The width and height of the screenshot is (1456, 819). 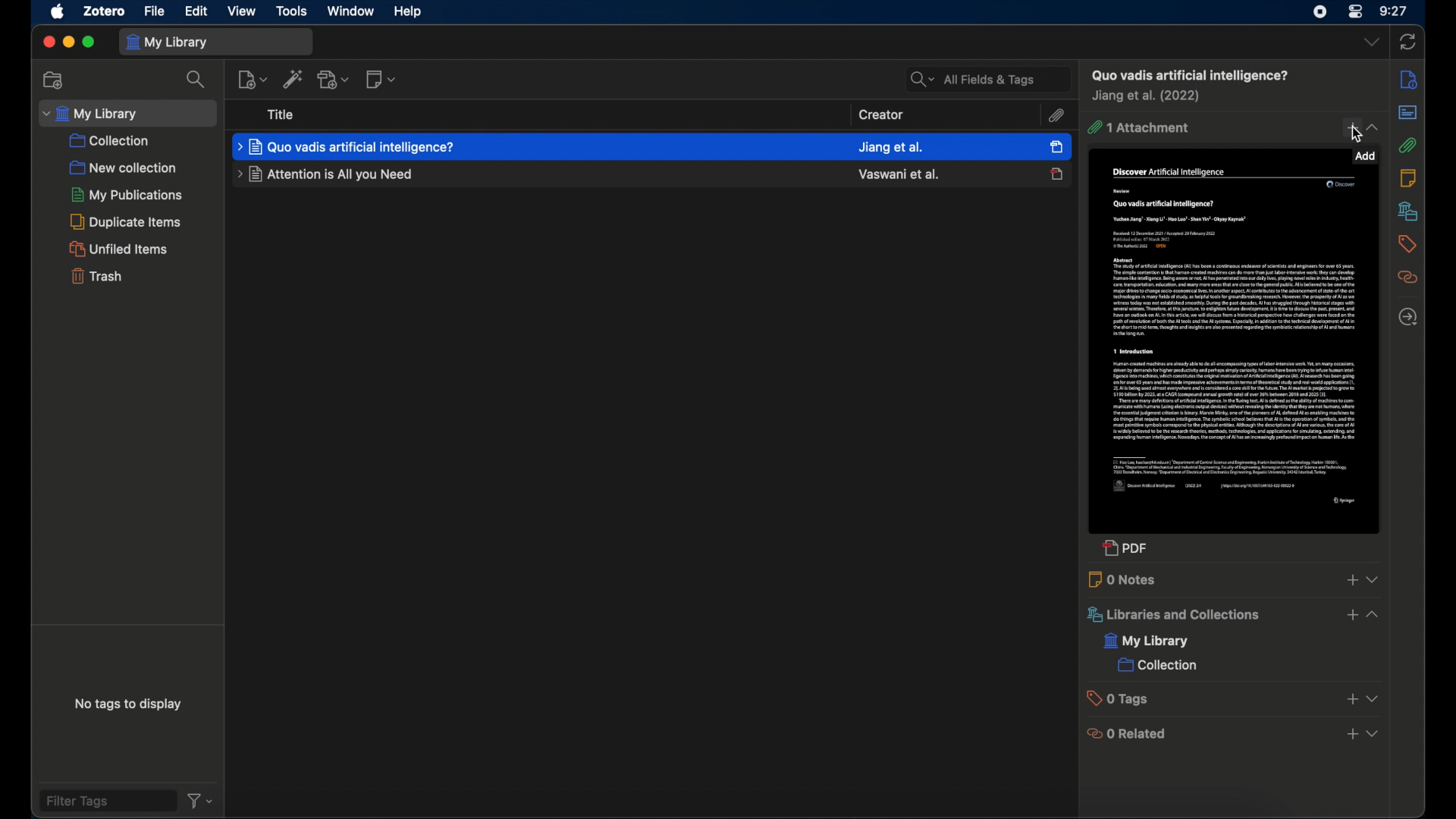 What do you see at coordinates (1057, 174) in the screenshot?
I see `unselected item` at bounding box center [1057, 174].